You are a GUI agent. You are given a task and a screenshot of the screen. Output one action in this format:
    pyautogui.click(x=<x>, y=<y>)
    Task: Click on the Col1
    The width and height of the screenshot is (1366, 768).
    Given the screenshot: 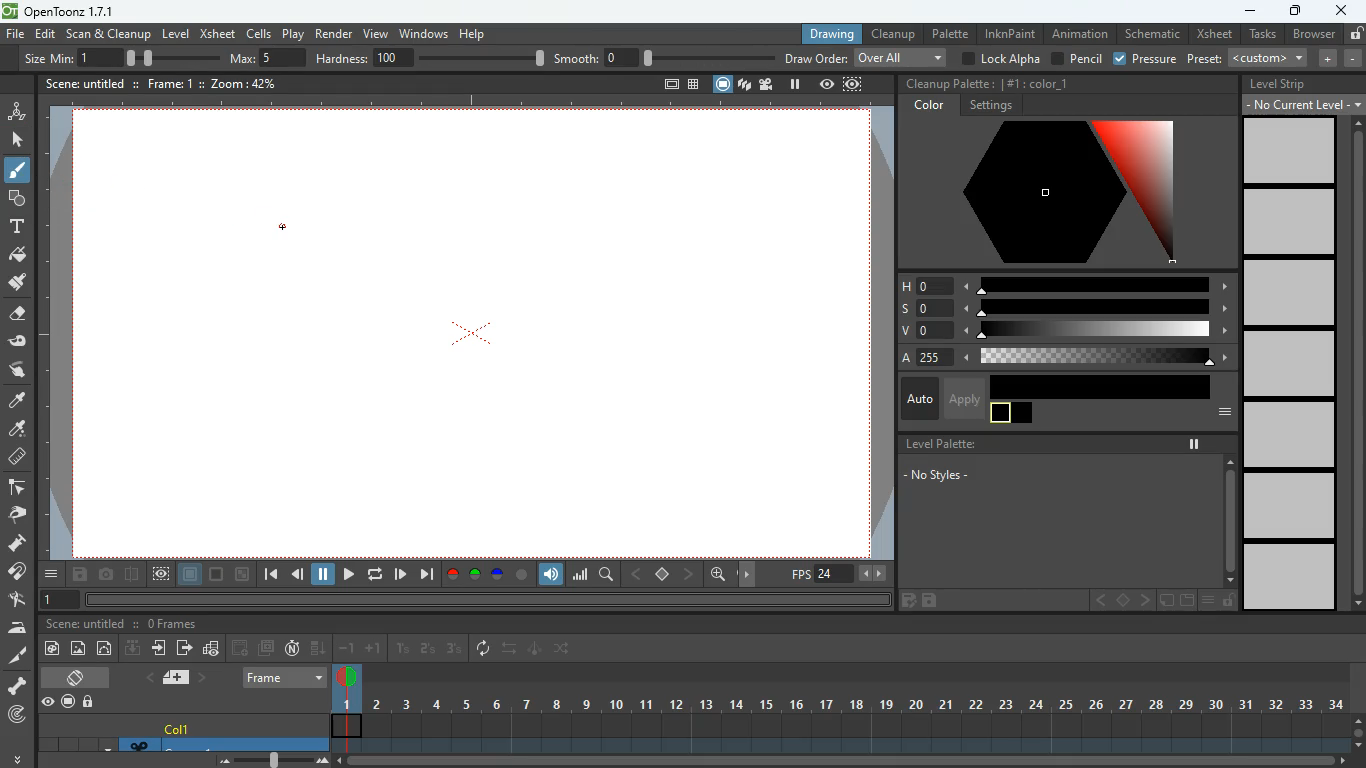 What is the action you would take?
    pyautogui.click(x=180, y=729)
    